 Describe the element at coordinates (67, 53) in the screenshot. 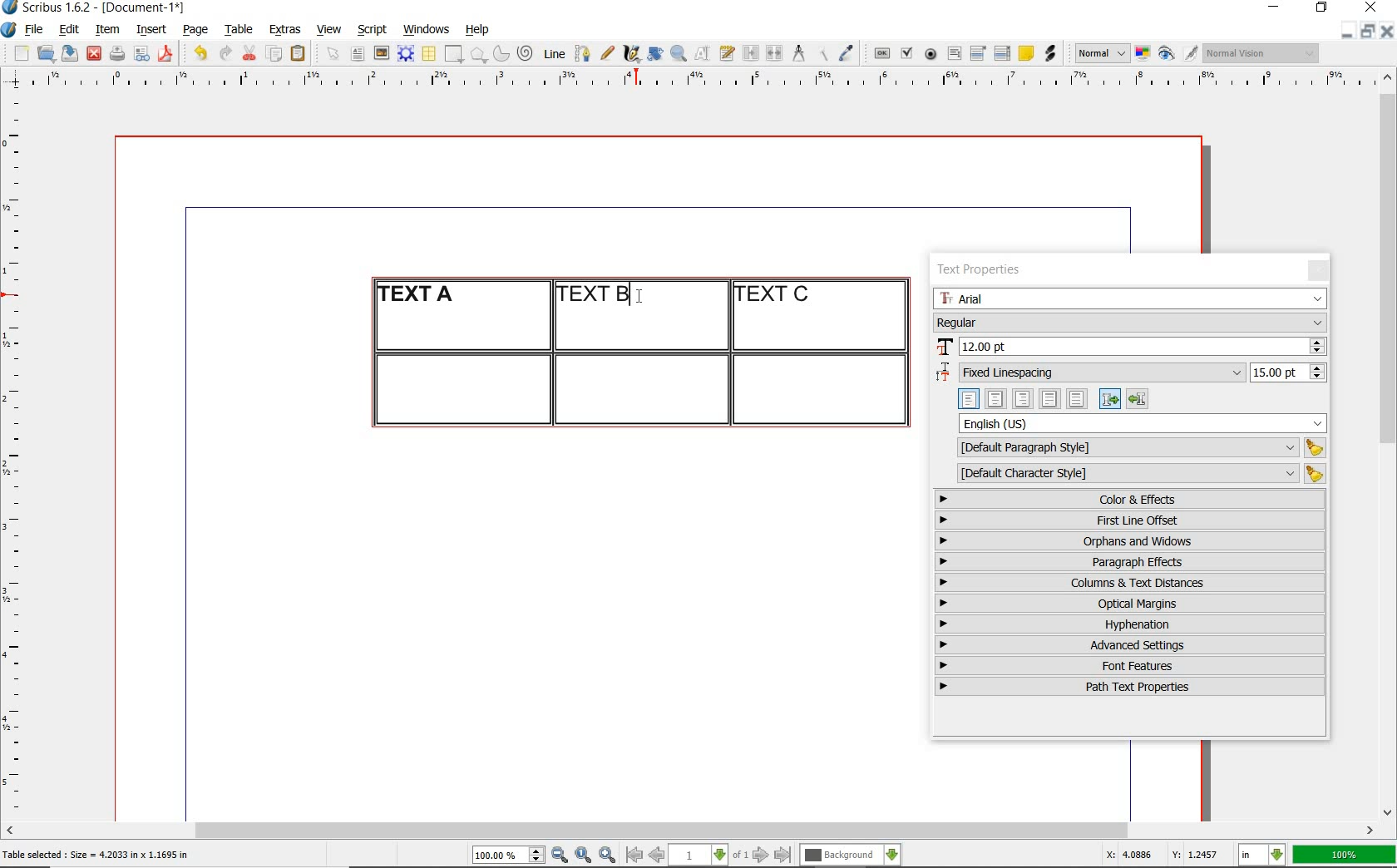

I see `save` at that location.